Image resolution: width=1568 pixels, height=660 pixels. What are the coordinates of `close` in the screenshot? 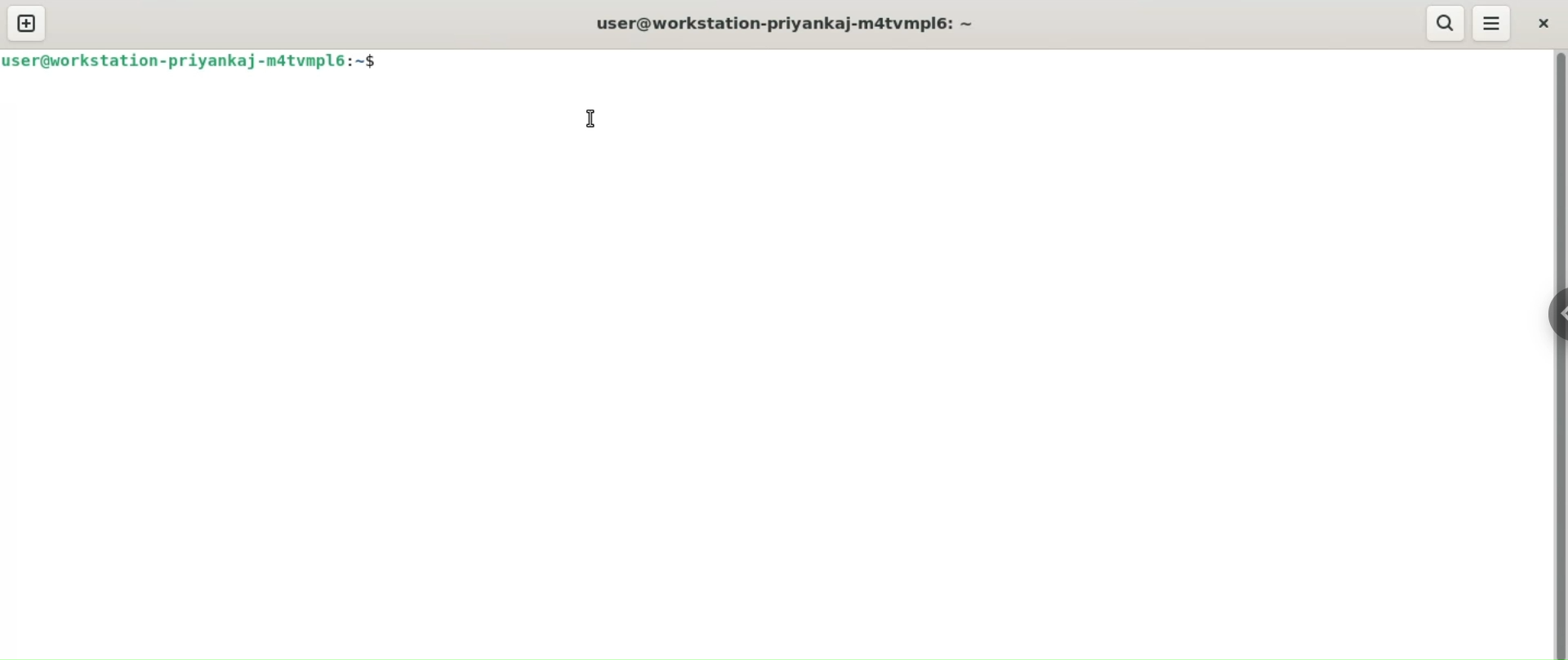 It's located at (1540, 21).